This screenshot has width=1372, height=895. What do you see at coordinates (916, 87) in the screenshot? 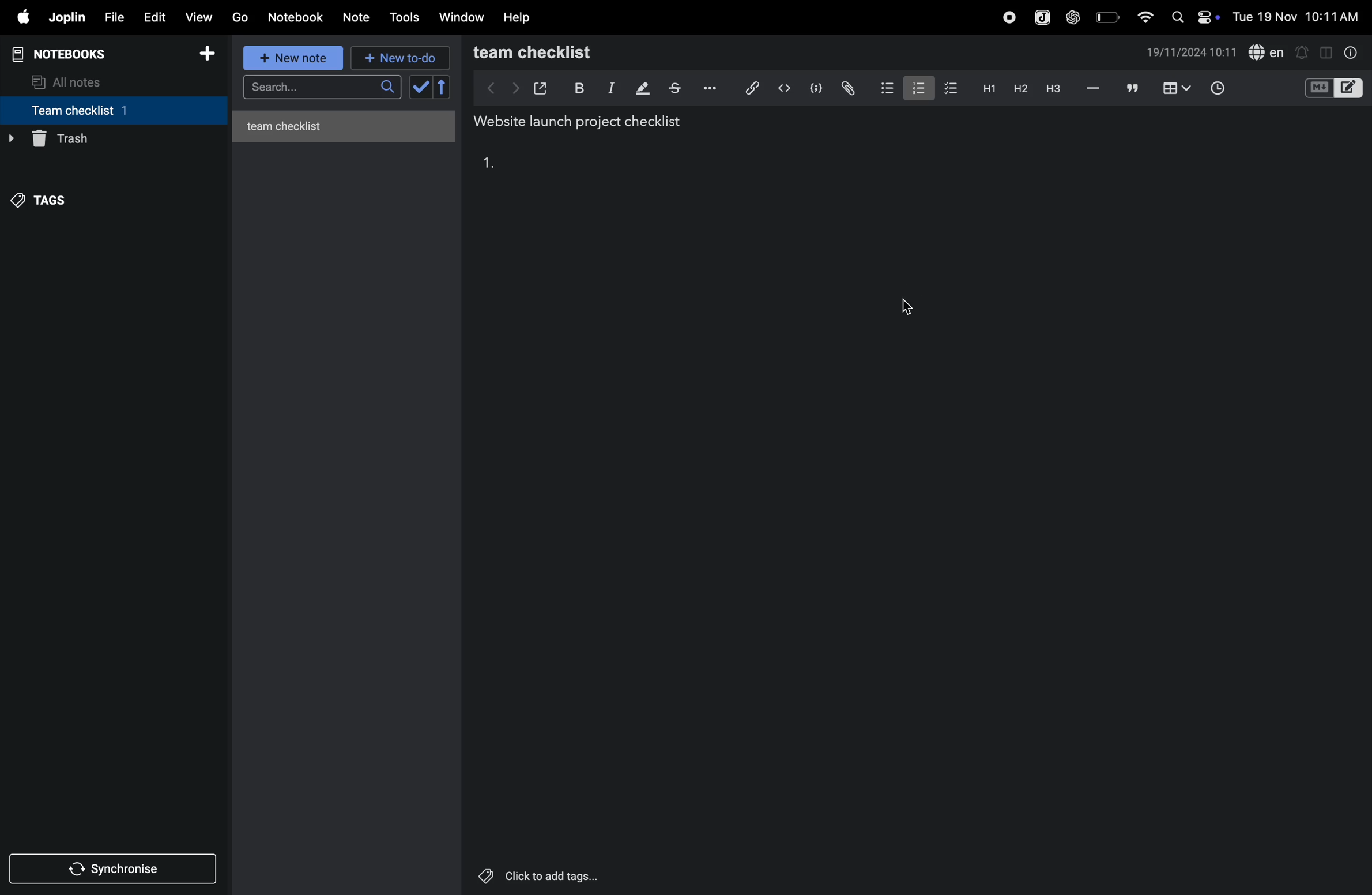
I see `numbered list` at bounding box center [916, 87].